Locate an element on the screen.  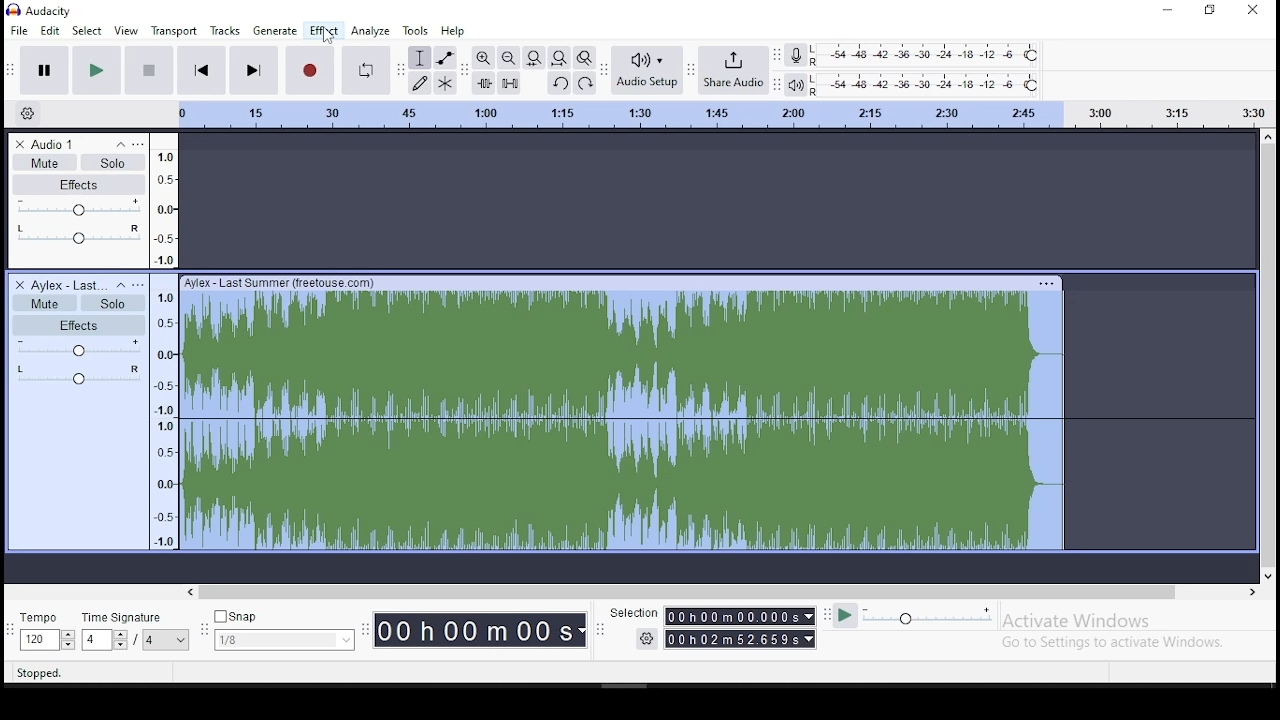
solo is located at coordinates (115, 163).